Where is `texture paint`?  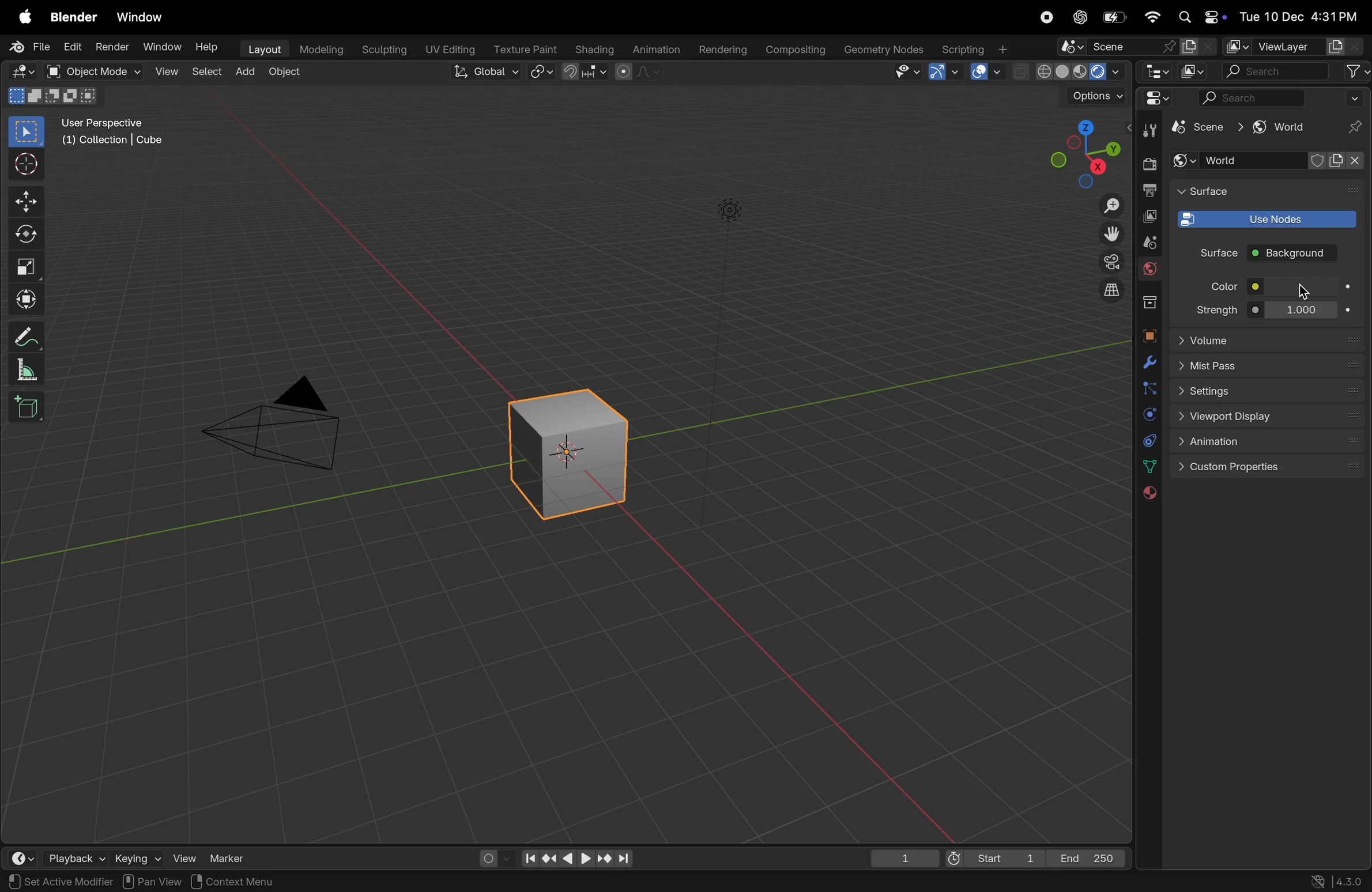 texture paint is located at coordinates (522, 48).